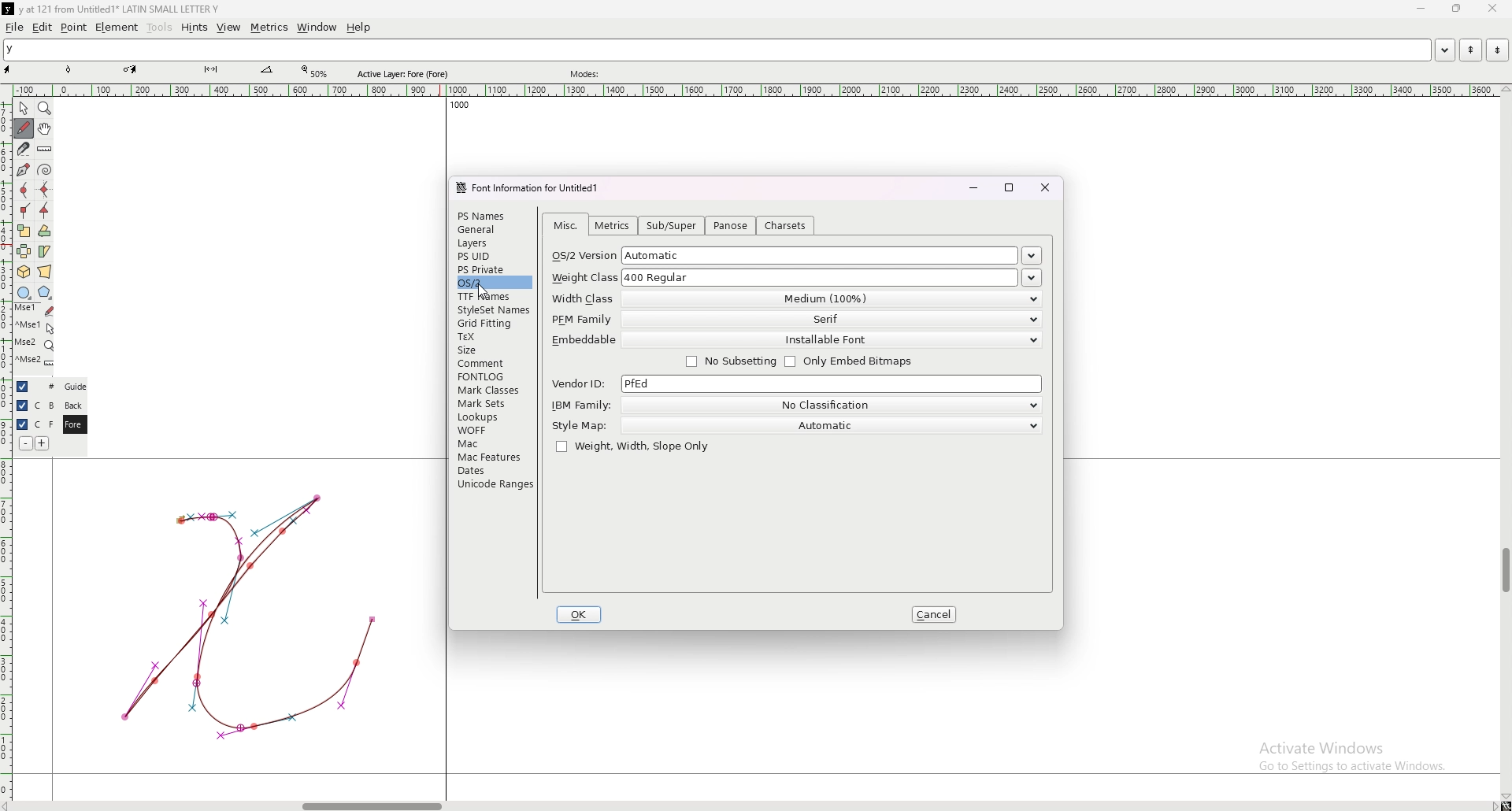  Describe the element at coordinates (797, 384) in the screenshot. I see `vendor id pfed` at that location.